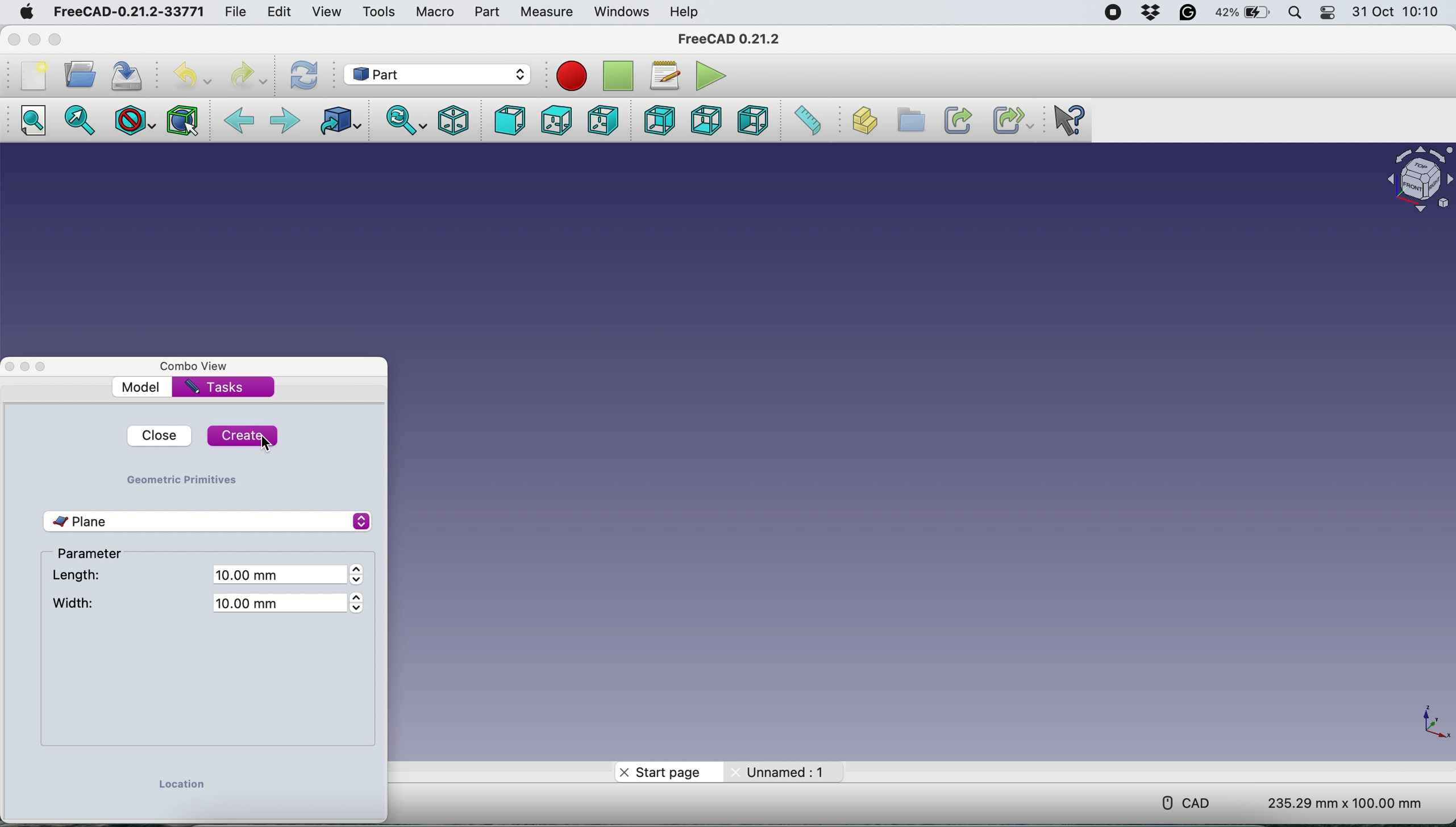  What do you see at coordinates (859, 121) in the screenshot?
I see `Create part` at bounding box center [859, 121].